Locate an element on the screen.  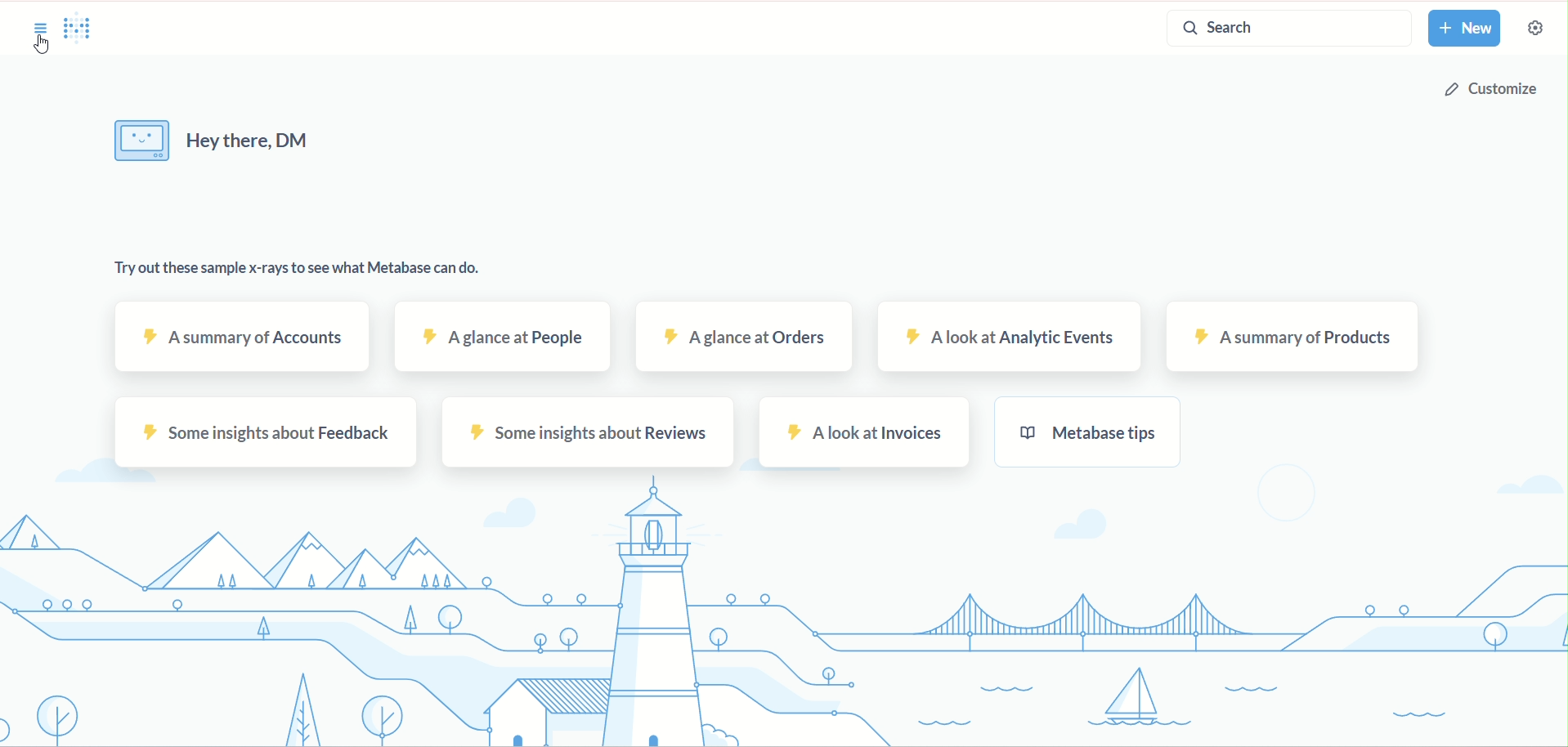
new is located at coordinates (1470, 29).